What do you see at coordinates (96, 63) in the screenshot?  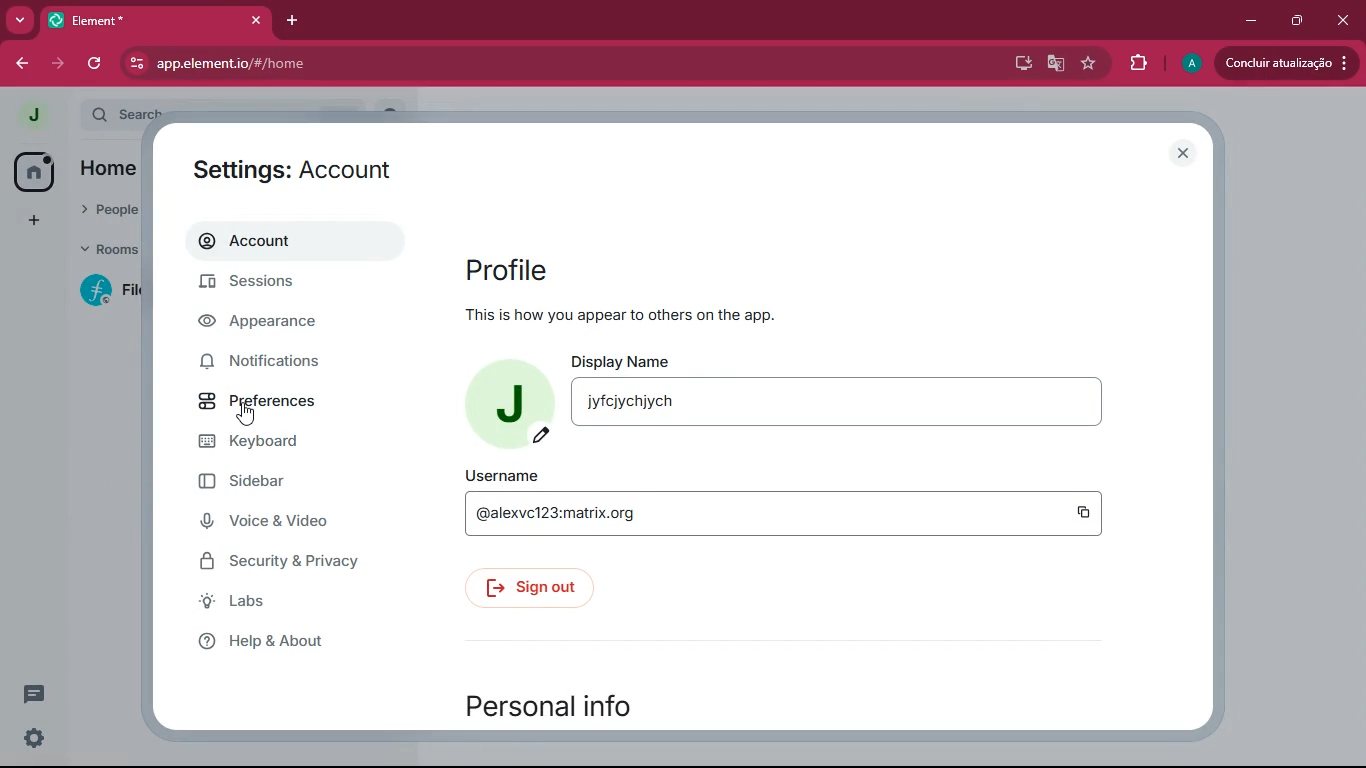 I see `refresh` at bounding box center [96, 63].